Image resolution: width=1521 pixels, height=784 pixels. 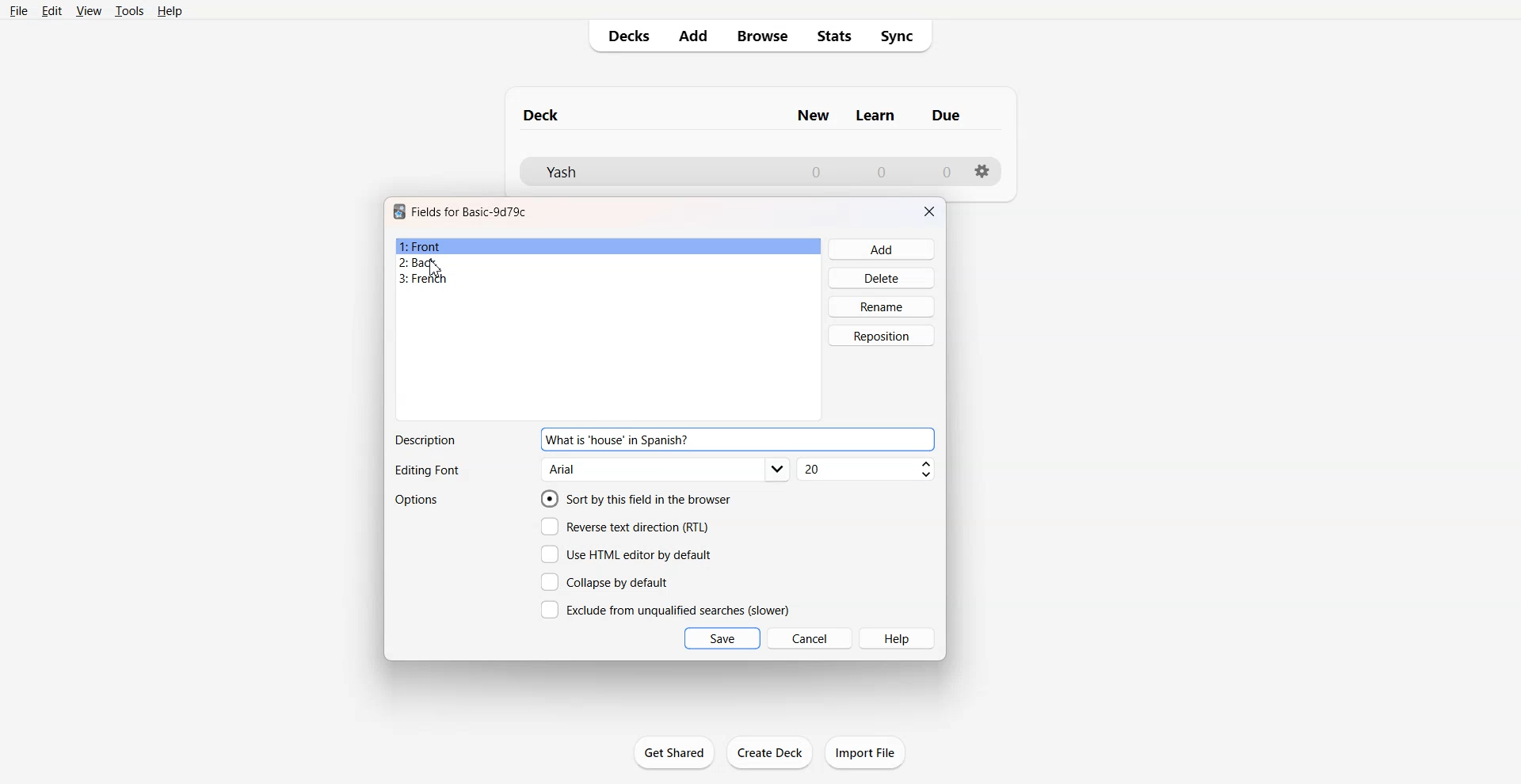 I want to click on Settings, so click(x=983, y=171).